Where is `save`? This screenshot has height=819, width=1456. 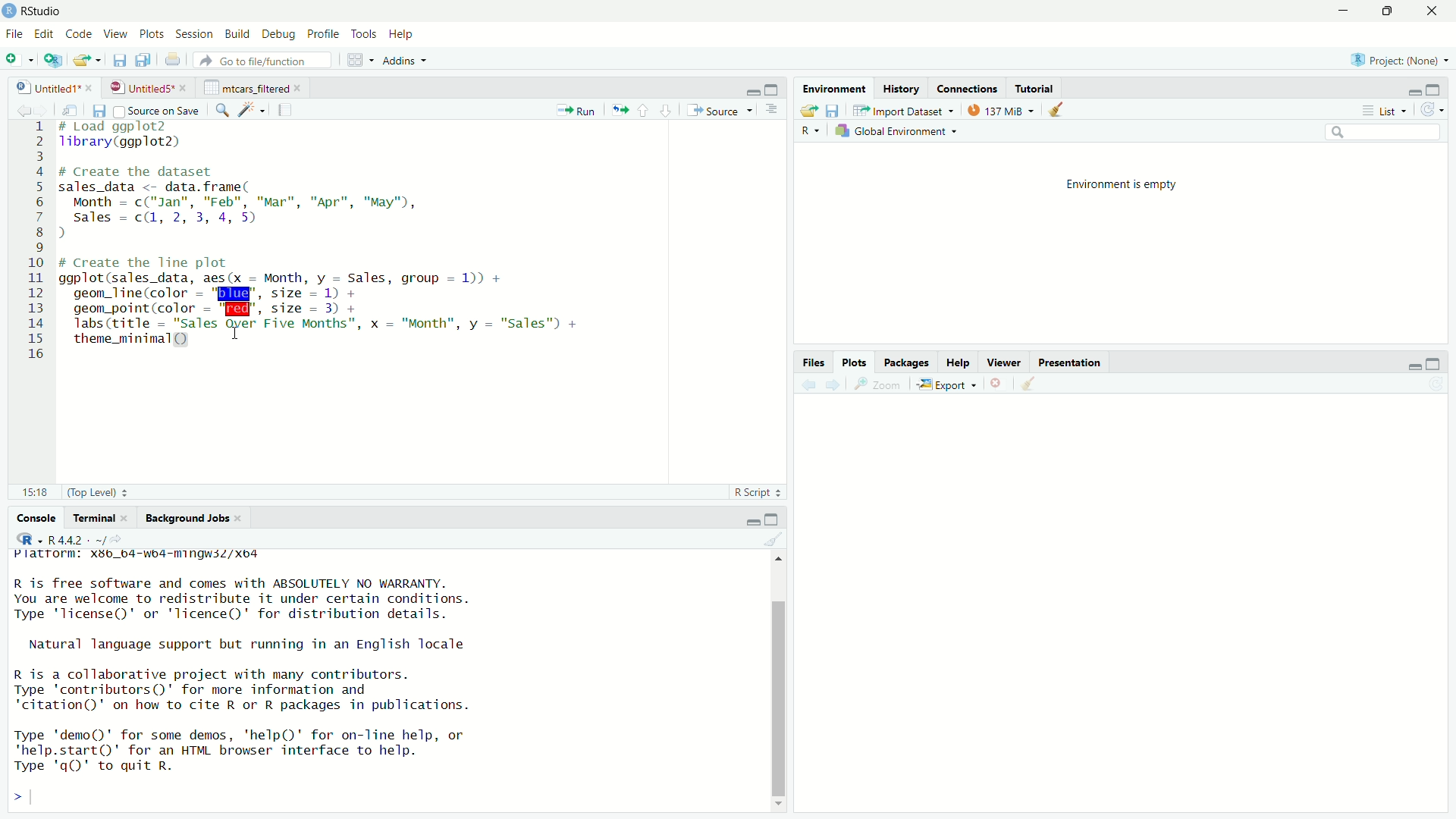 save is located at coordinates (835, 111).